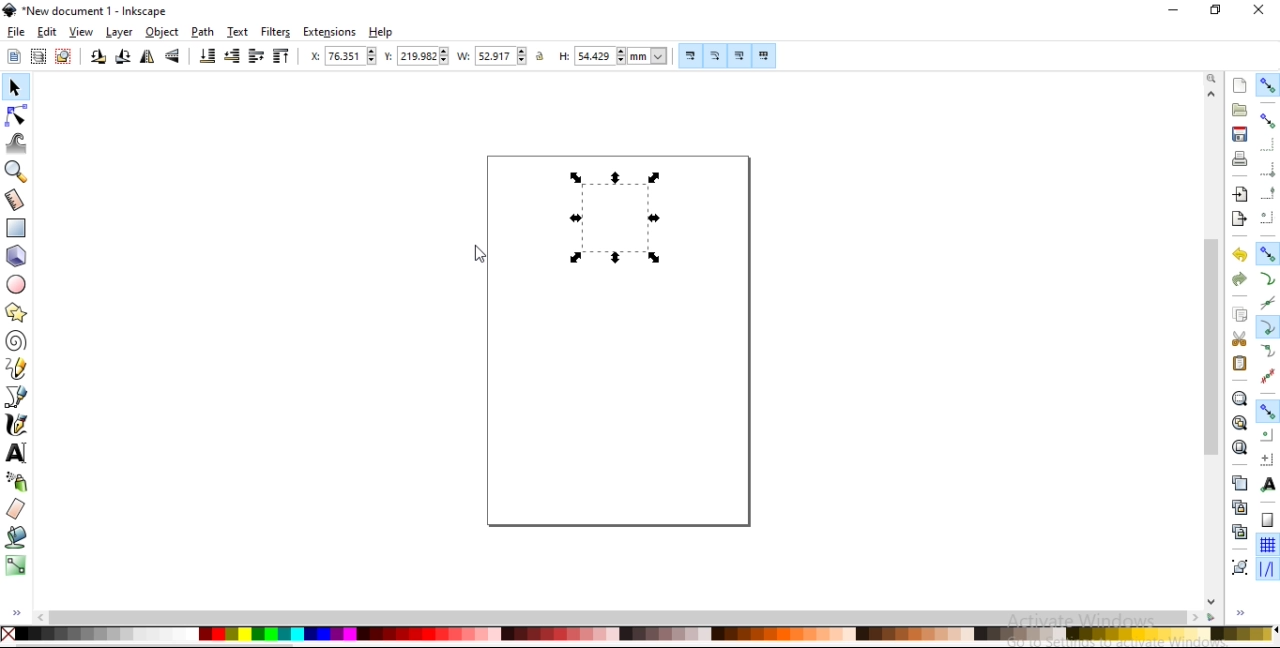 This screenshot has width=1280, height=648. I want to click on snap midpoints of bounding box edges, so click(1268, 194).